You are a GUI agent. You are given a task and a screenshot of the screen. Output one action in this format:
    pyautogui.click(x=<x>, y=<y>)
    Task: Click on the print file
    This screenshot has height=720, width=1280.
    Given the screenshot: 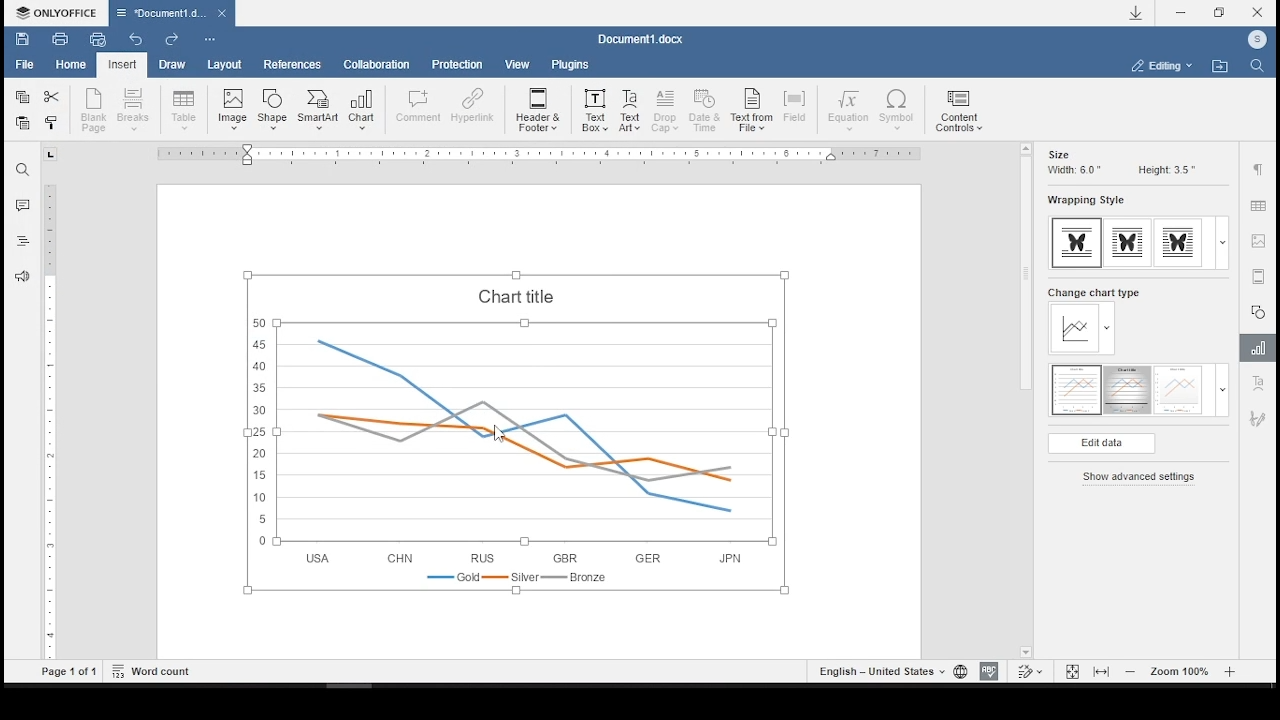 What is the action you would take?
    pyautogui.click(x=59, y=38)
    